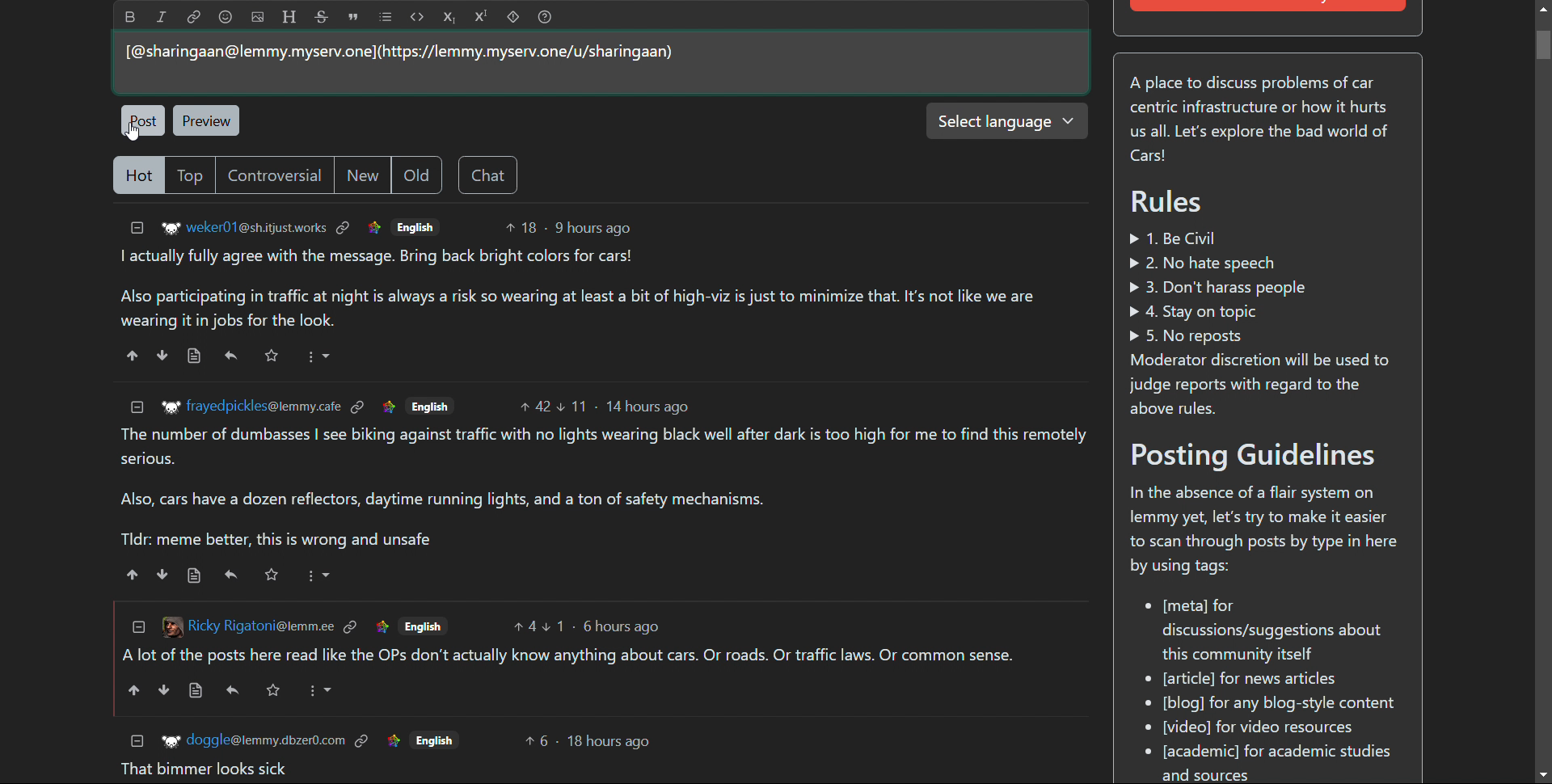 The width and height of the screenshot is (1552, 784). I want to click on link, so click(382, 626).